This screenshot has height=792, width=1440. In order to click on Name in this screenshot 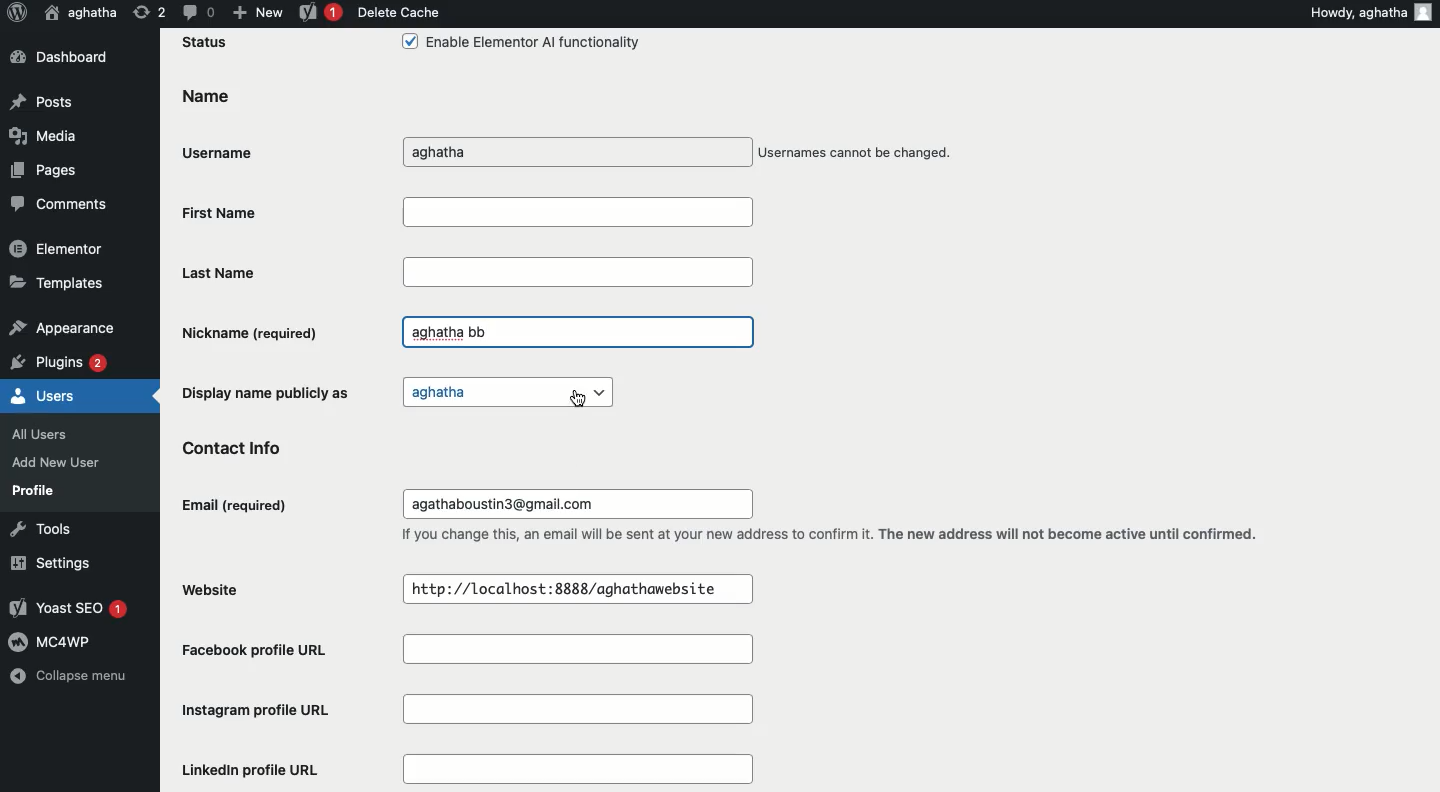, I will do `click(204, 97)`.